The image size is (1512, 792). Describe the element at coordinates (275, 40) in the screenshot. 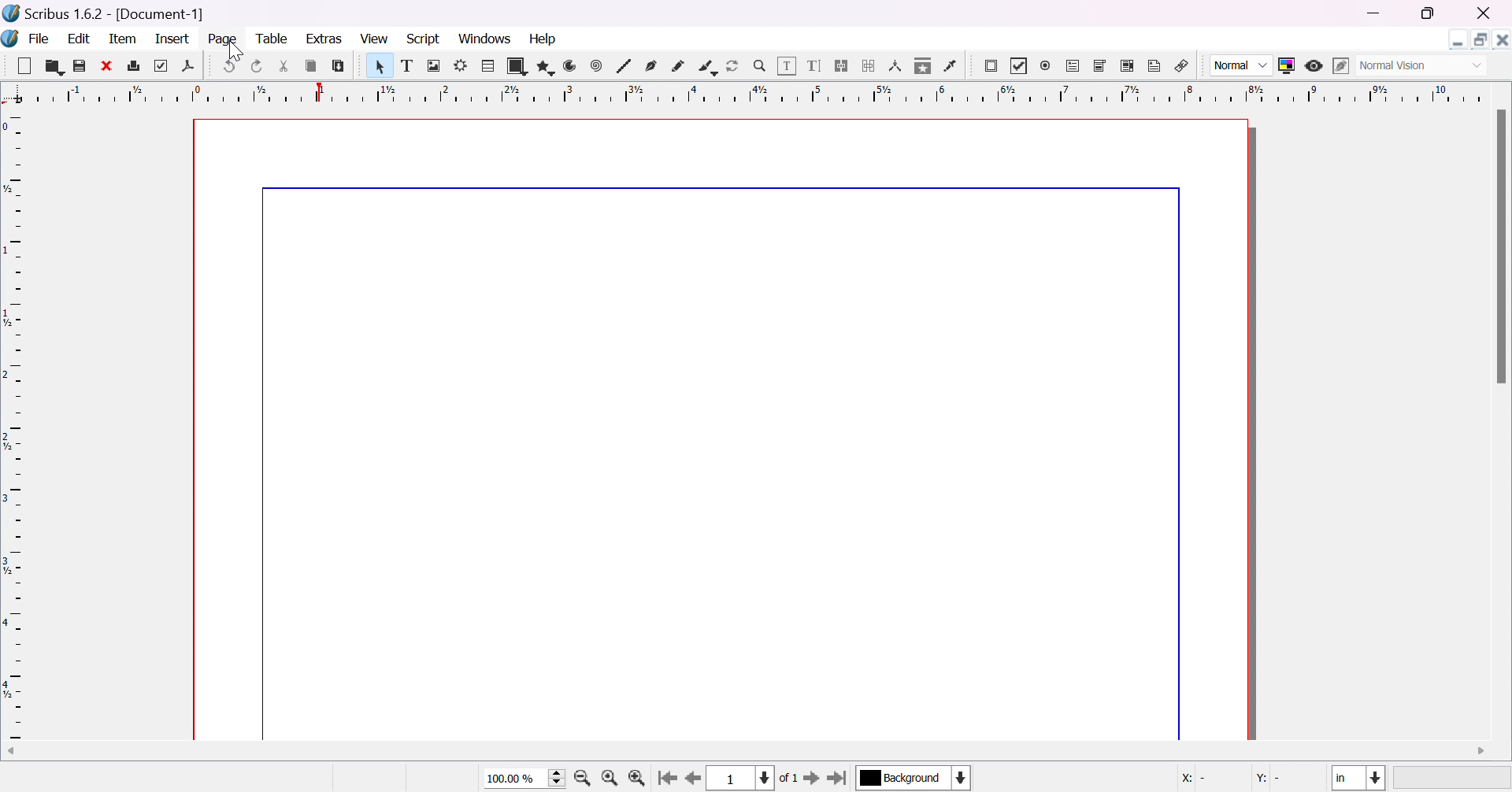

I see `table` at that location.